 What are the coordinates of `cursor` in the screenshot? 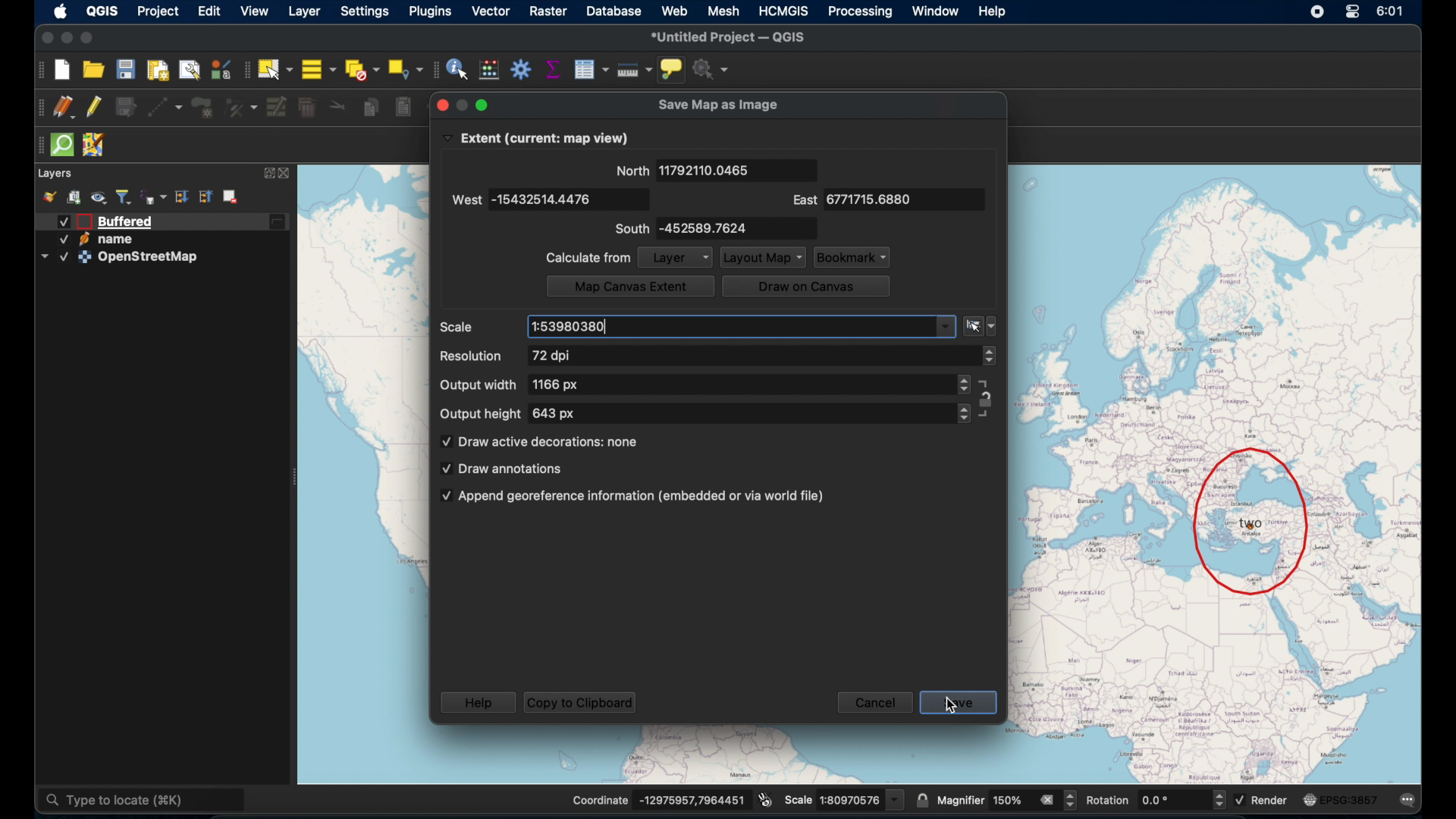 It's located at (952, 705).